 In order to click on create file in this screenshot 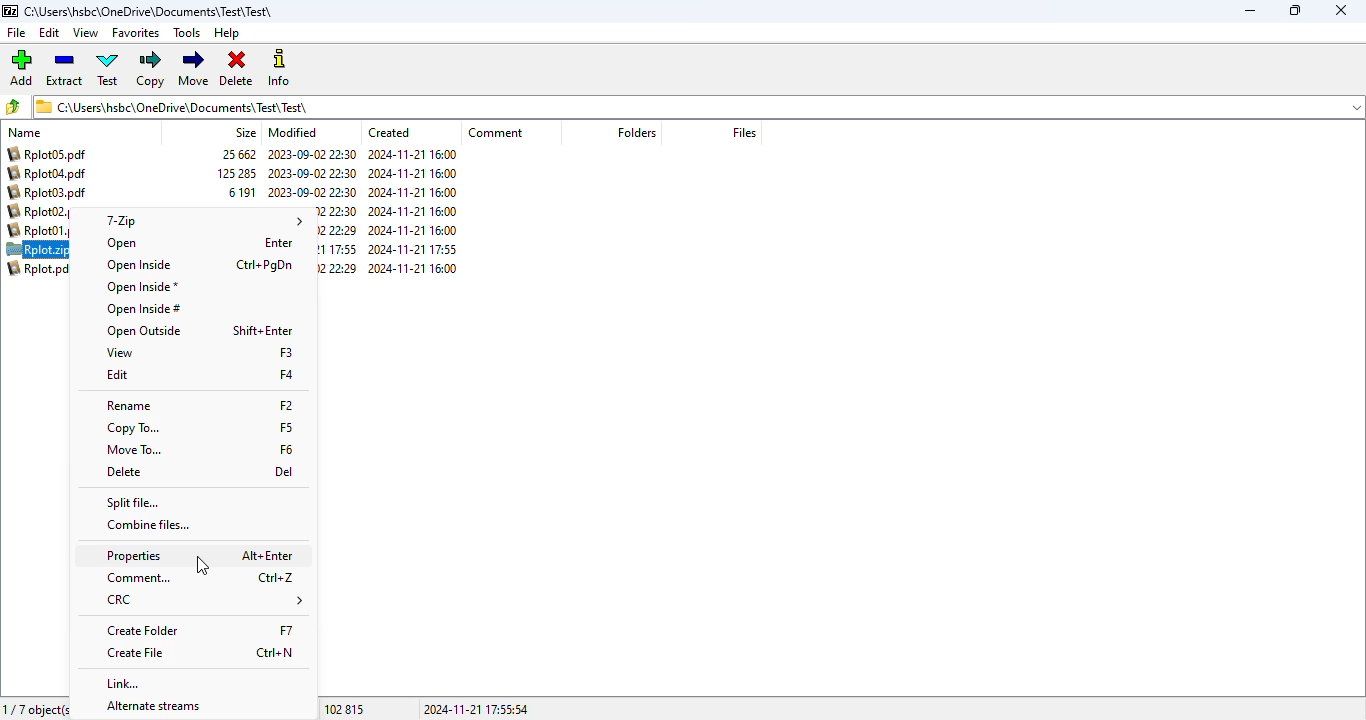, I will do `click(137, 654)`.